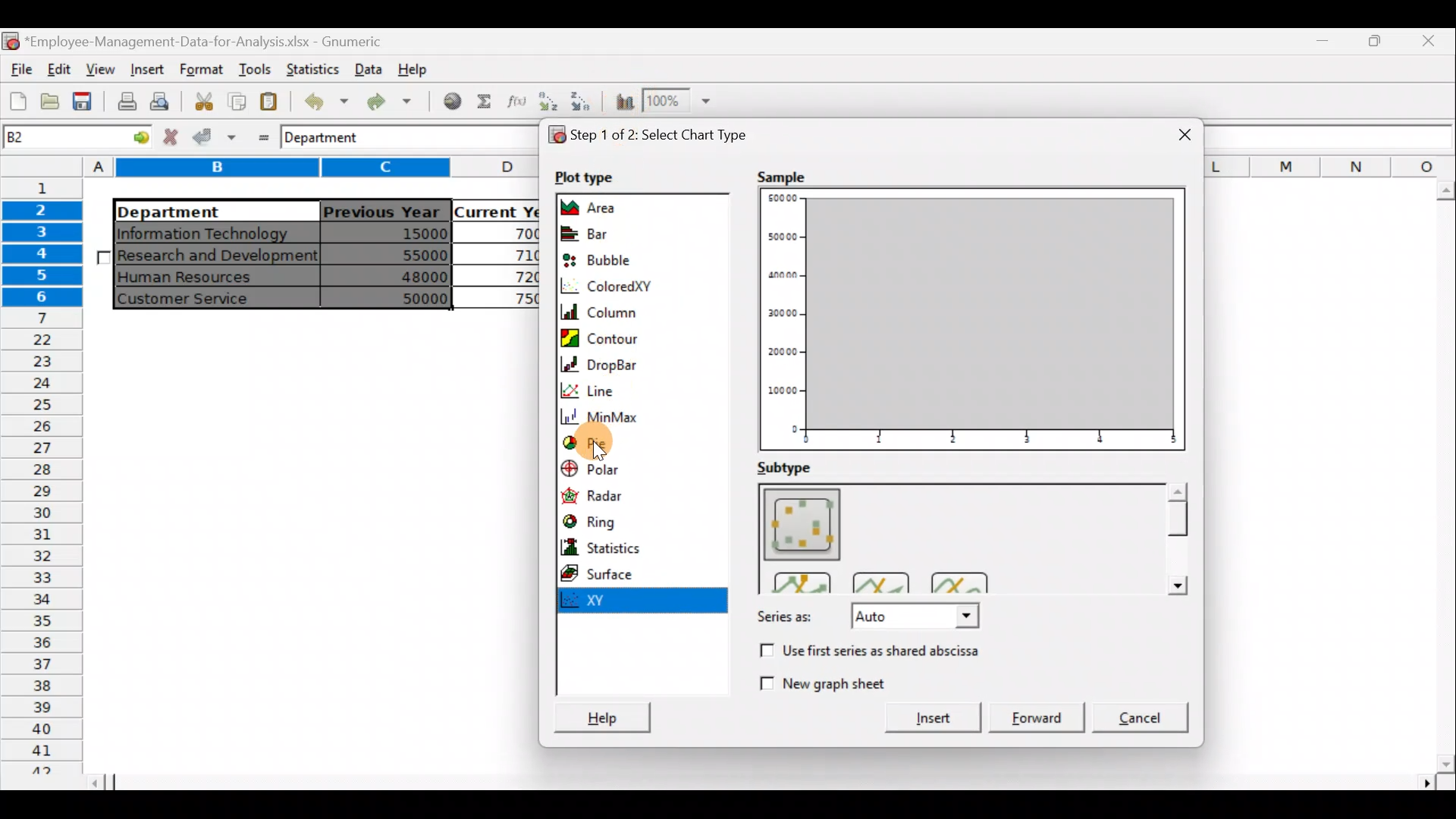  I want to click on Gnumeric logo, so click(11, 40).